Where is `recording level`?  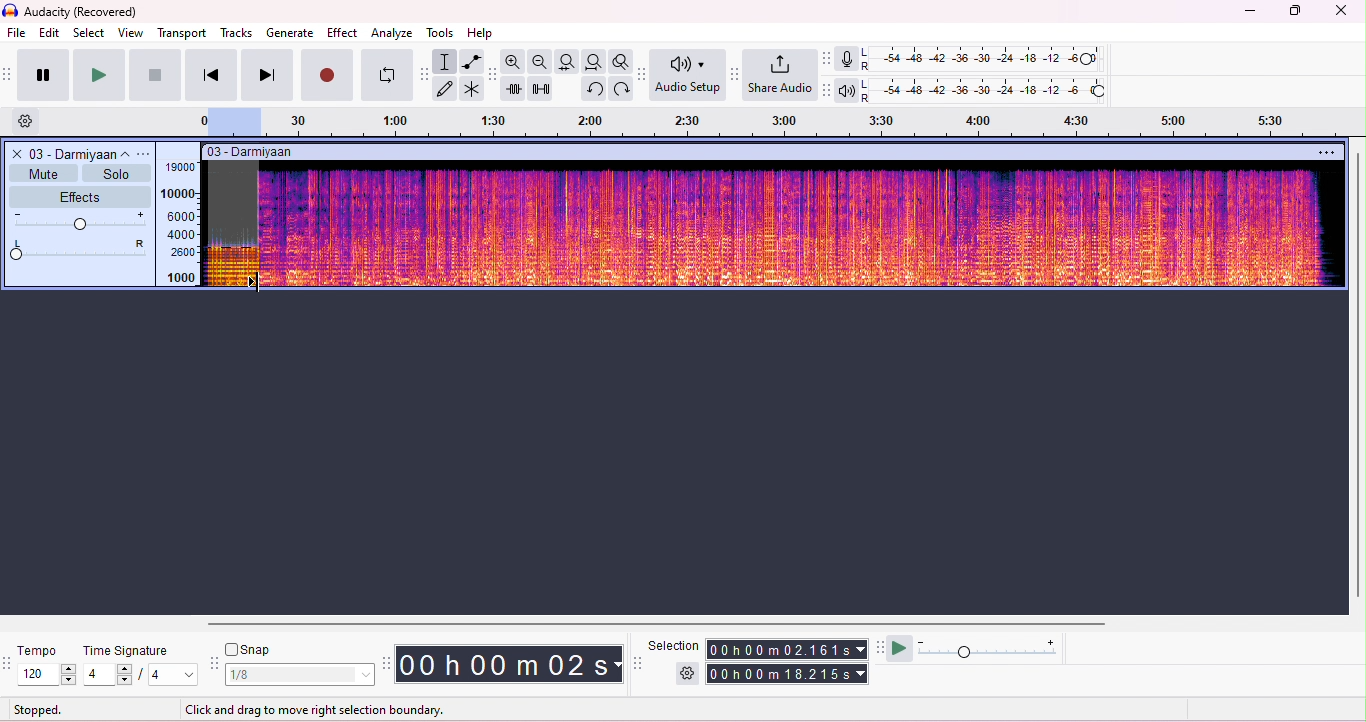 recording level is located at coordinates (987, 60).